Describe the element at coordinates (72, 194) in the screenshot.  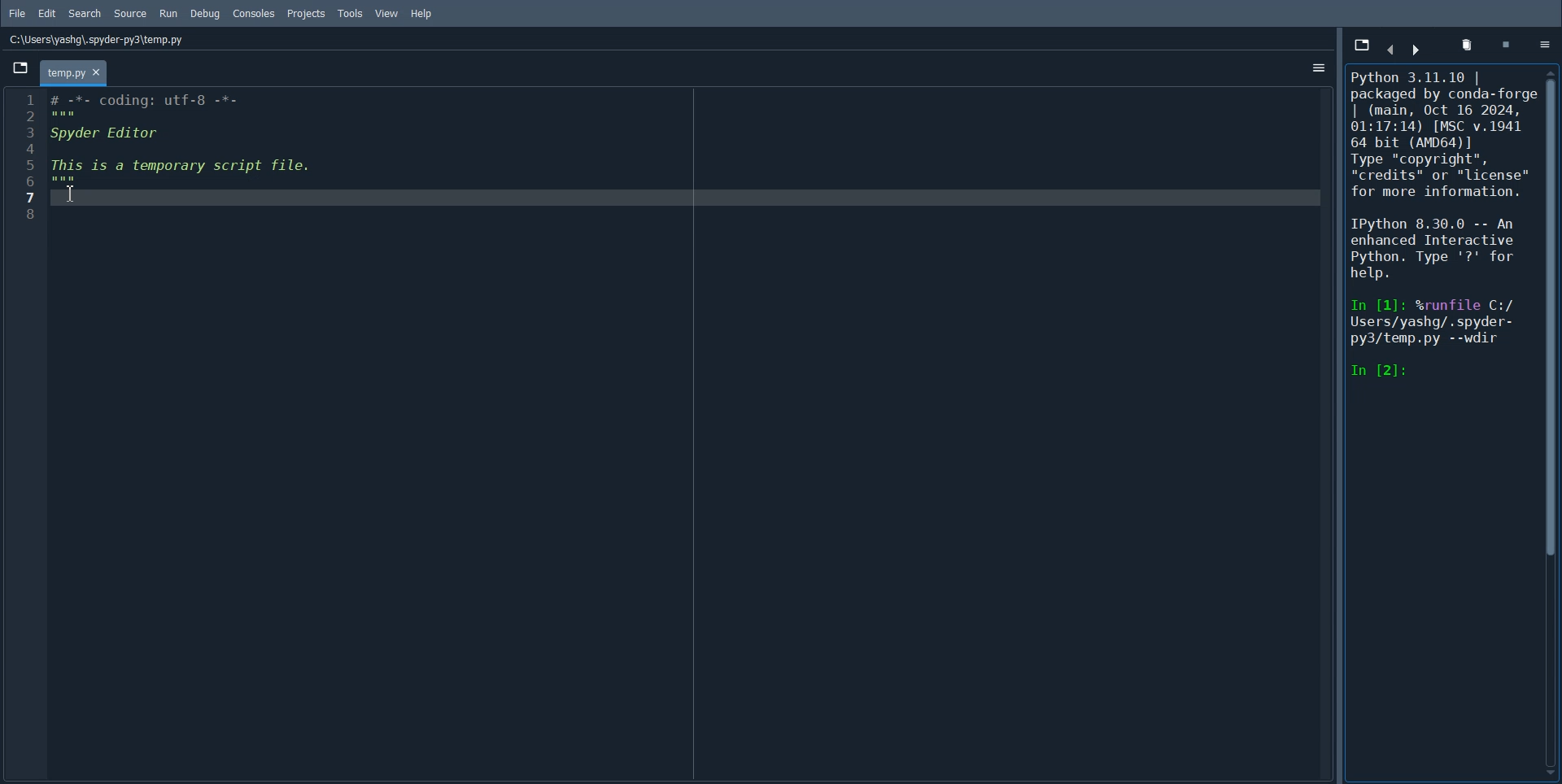
I see `Text Cursor` at that location.